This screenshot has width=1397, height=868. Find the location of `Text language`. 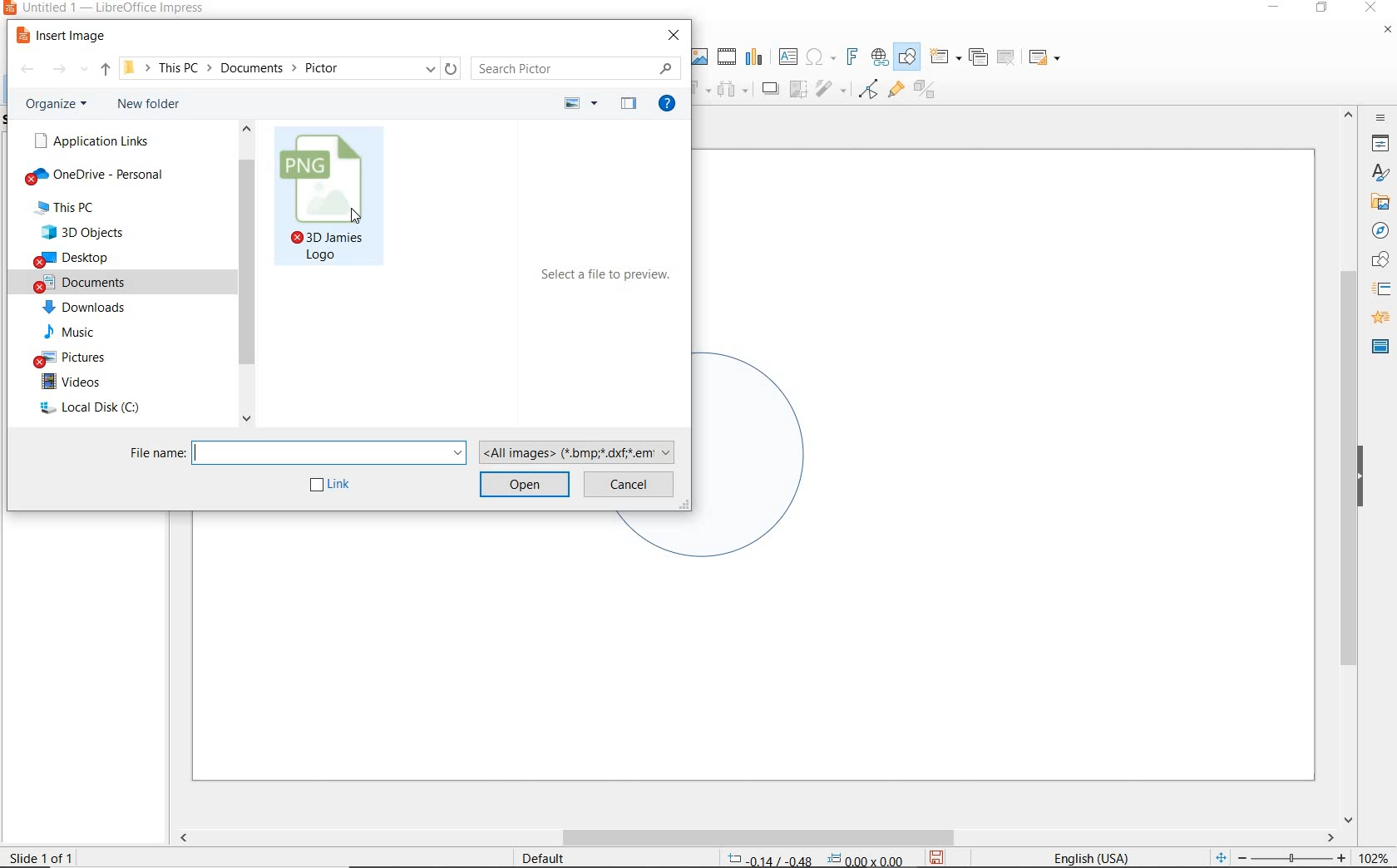

Text language is located at coordinates (1088, 856).